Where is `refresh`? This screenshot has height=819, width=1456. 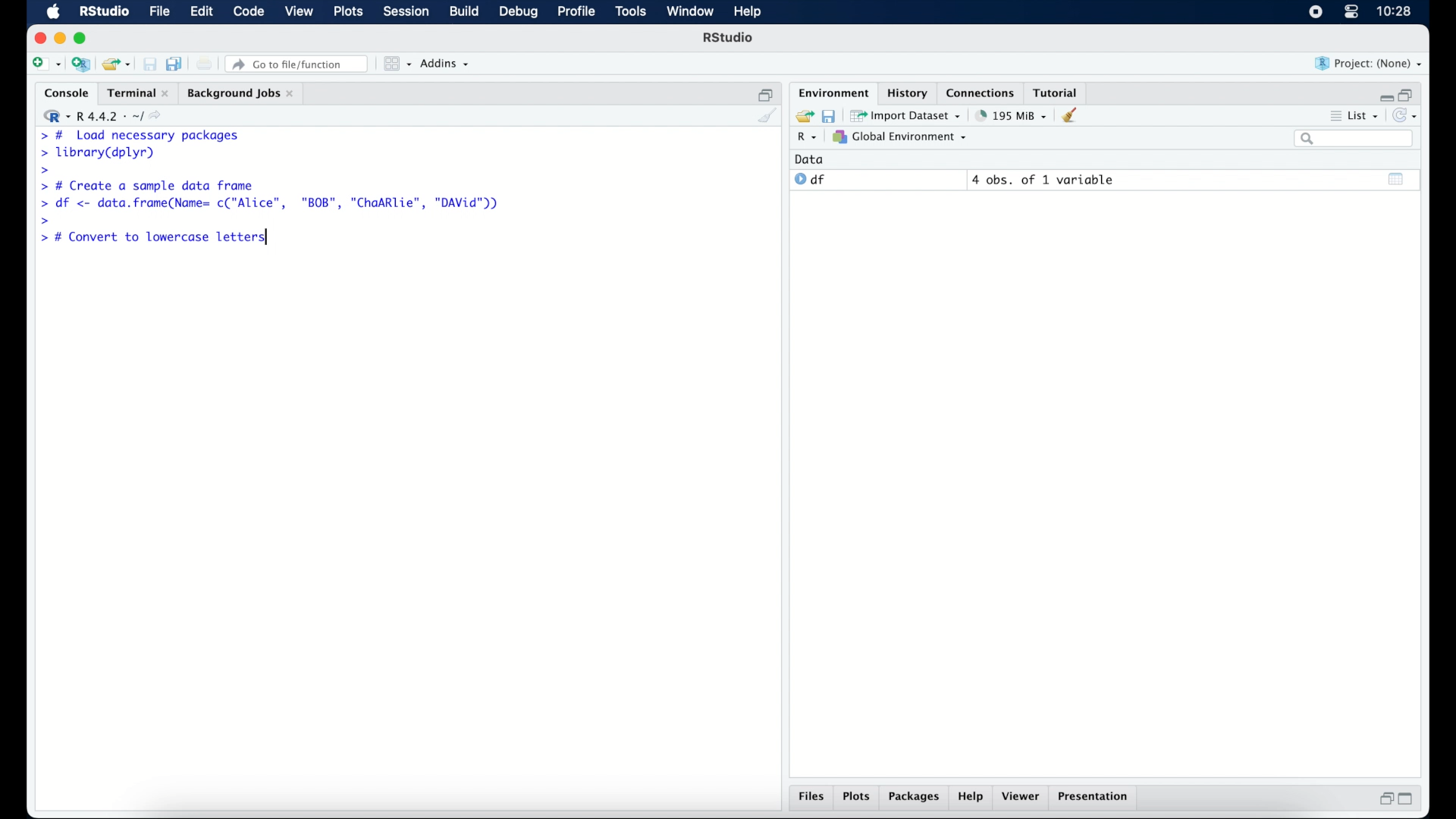 refresh is located at coordinates (1407, 117).